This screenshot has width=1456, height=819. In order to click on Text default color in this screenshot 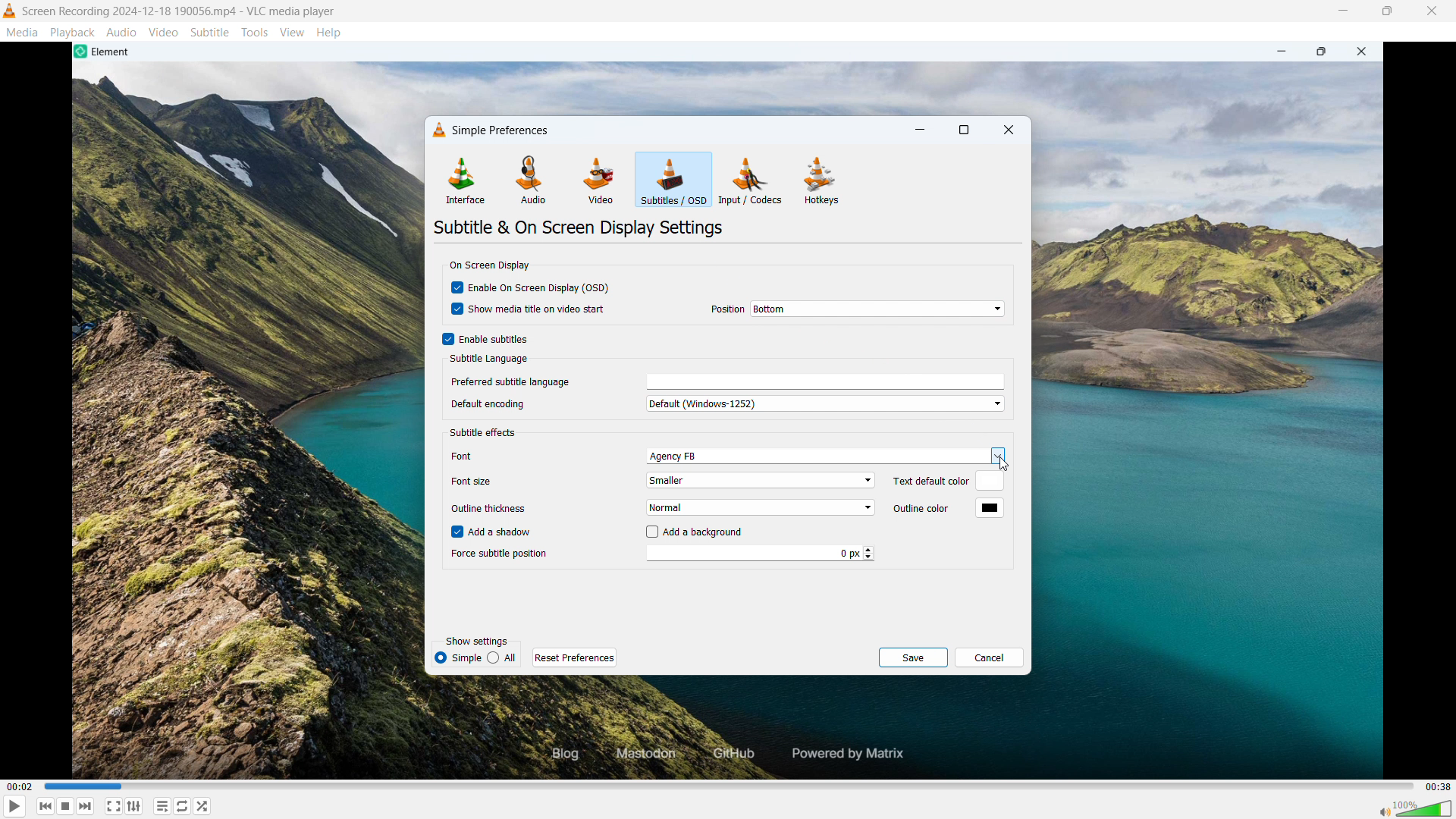, I will do `click(925, 482)`.